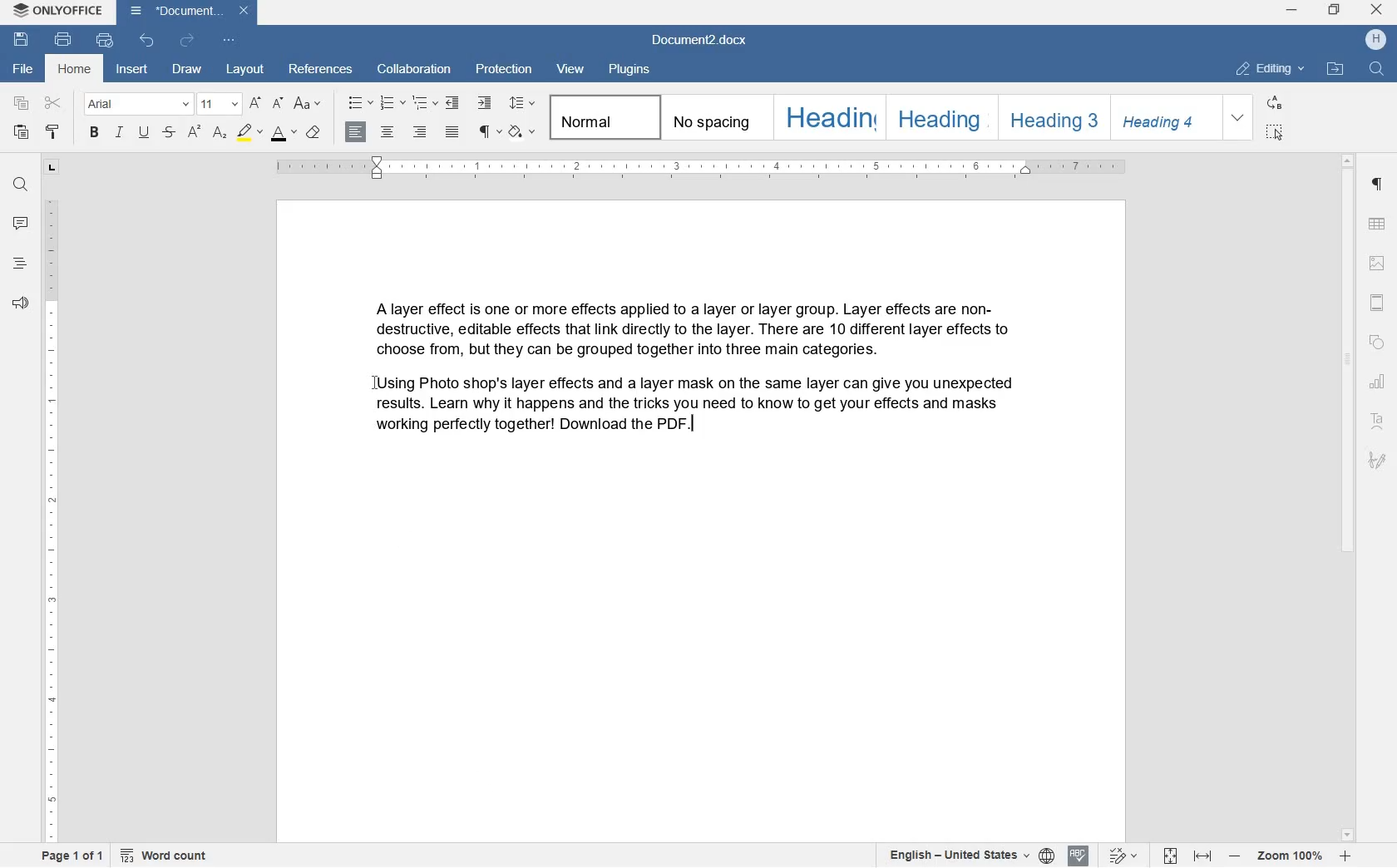  I want to click on FILE, so click(21, 67).